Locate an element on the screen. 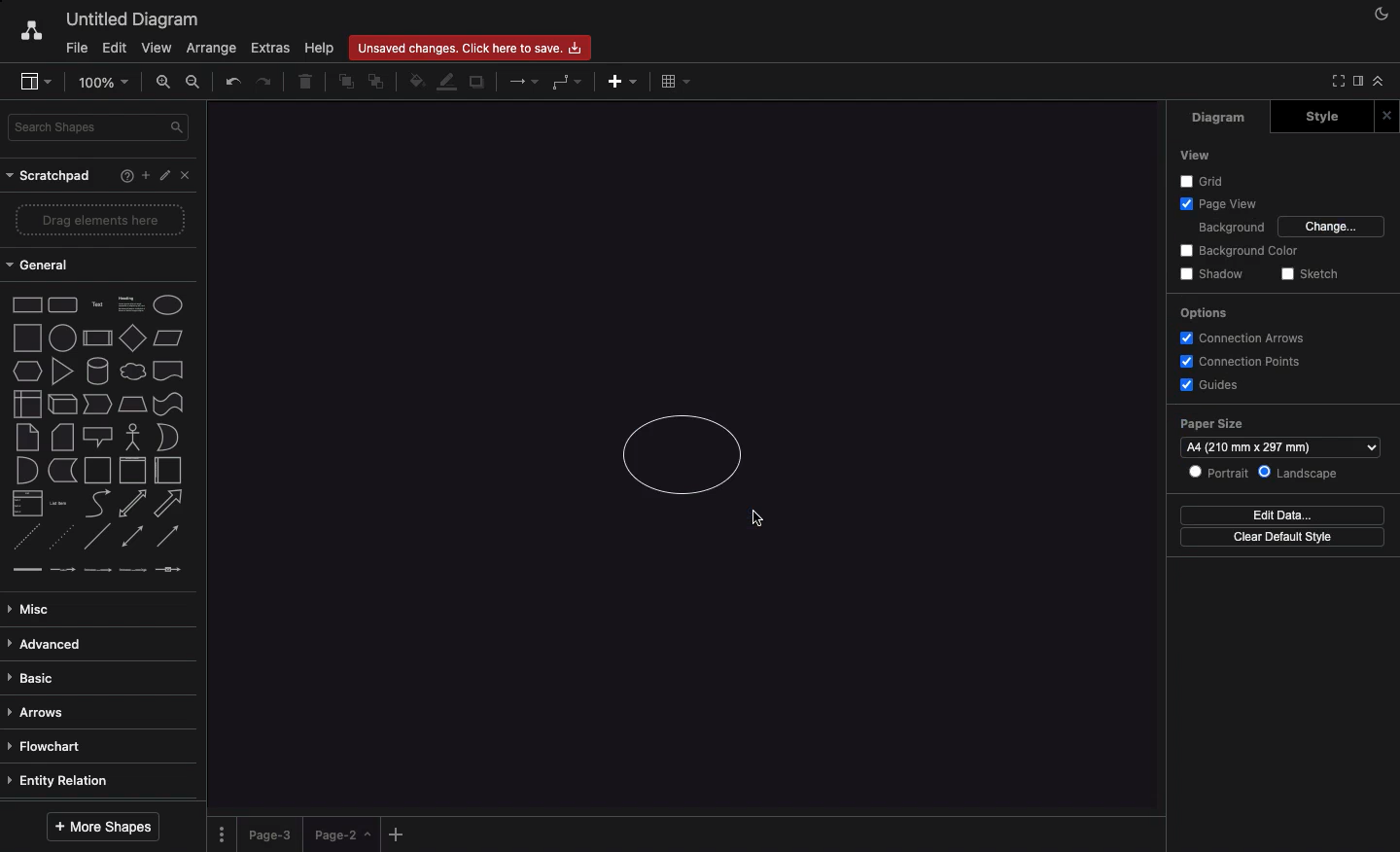  horizontal container is located at coordinates (168, 470).